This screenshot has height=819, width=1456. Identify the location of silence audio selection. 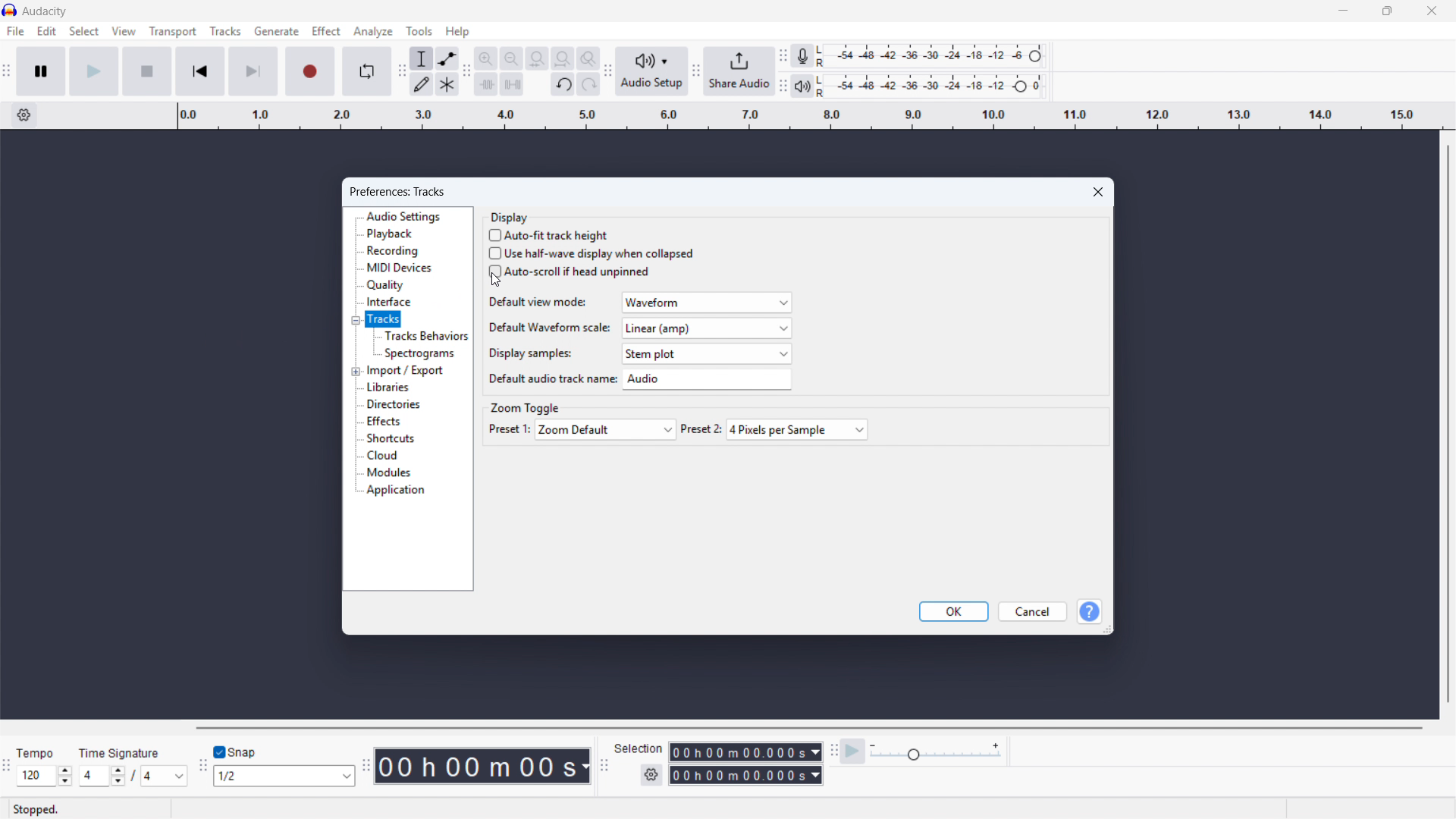
(512, 84).